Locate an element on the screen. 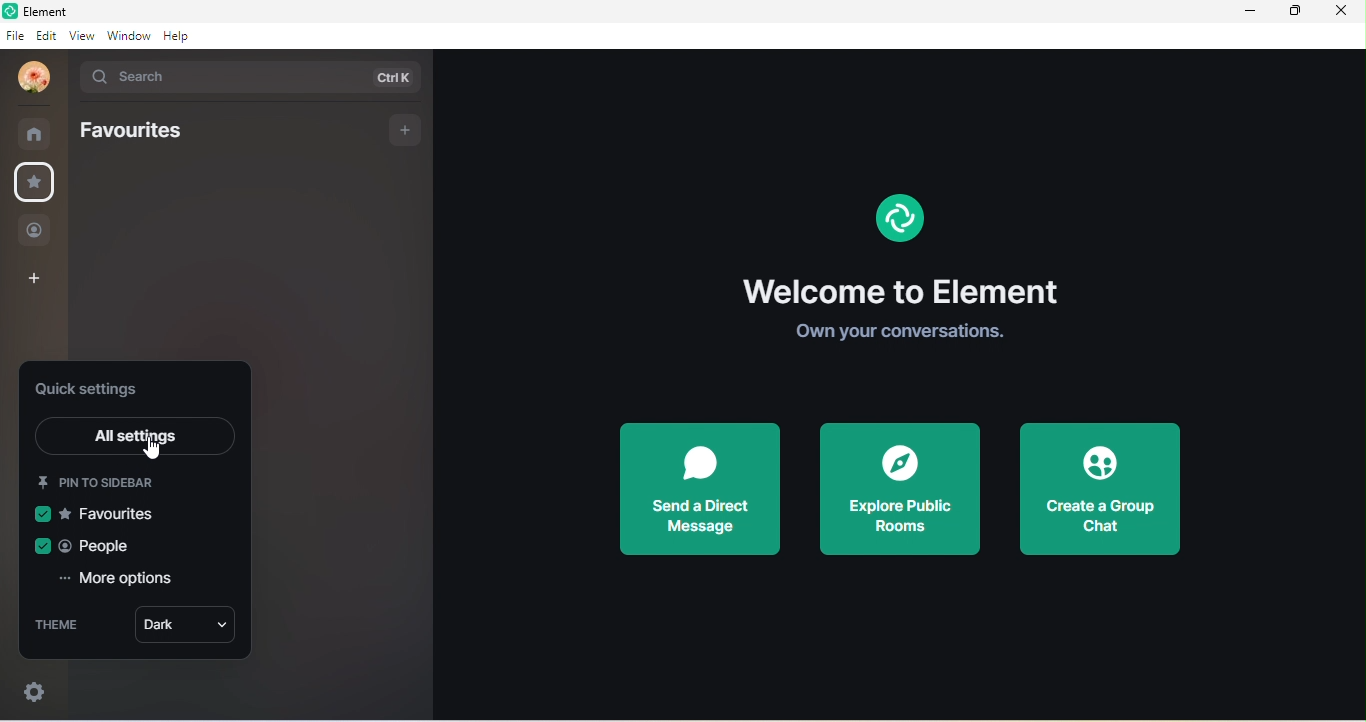 This screenshot has width=1366, height=722. create a group chat is located at coordinates (1098, 487).